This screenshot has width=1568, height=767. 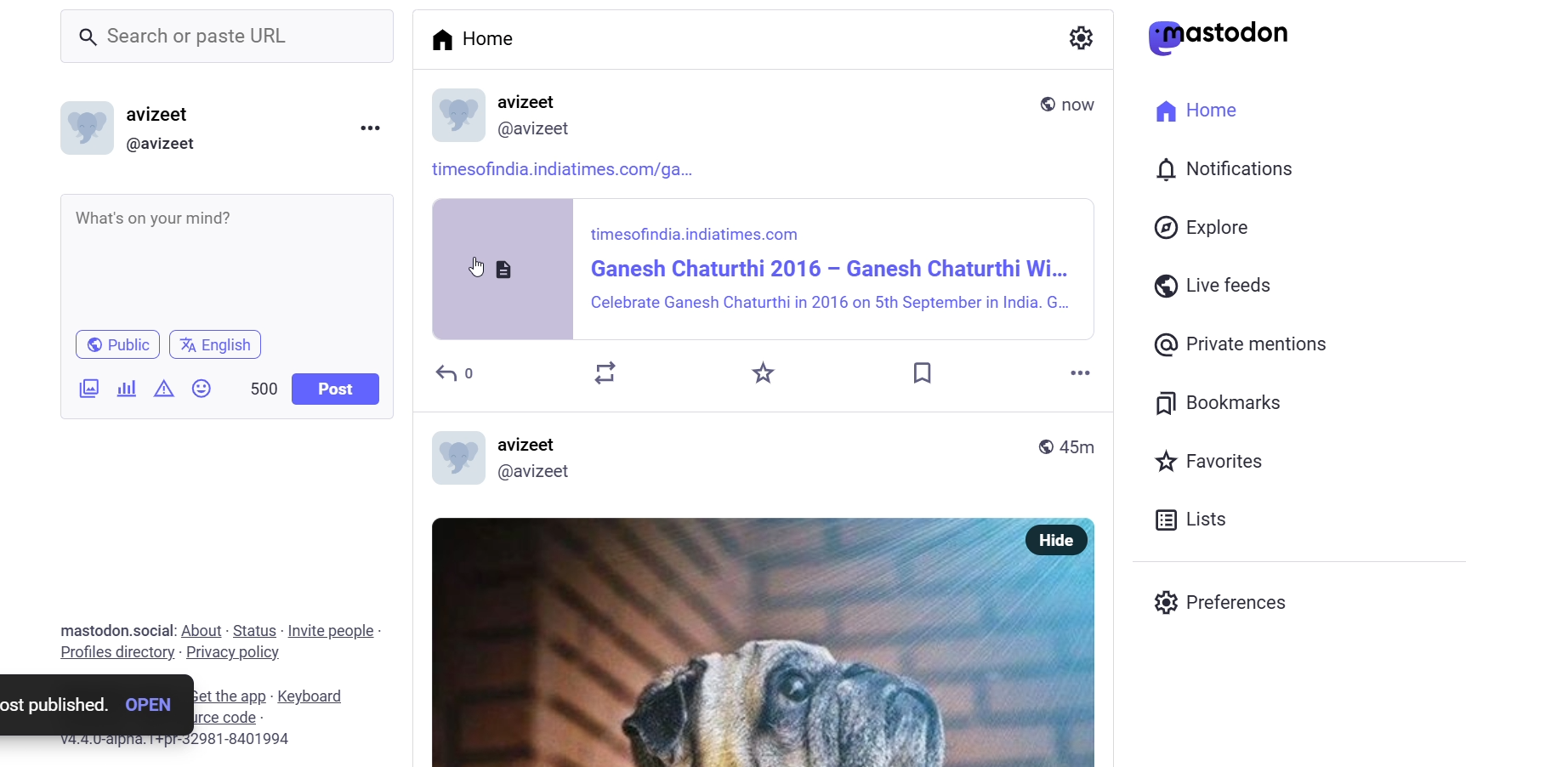 I want to click on logo, so click(x=457, y=455).